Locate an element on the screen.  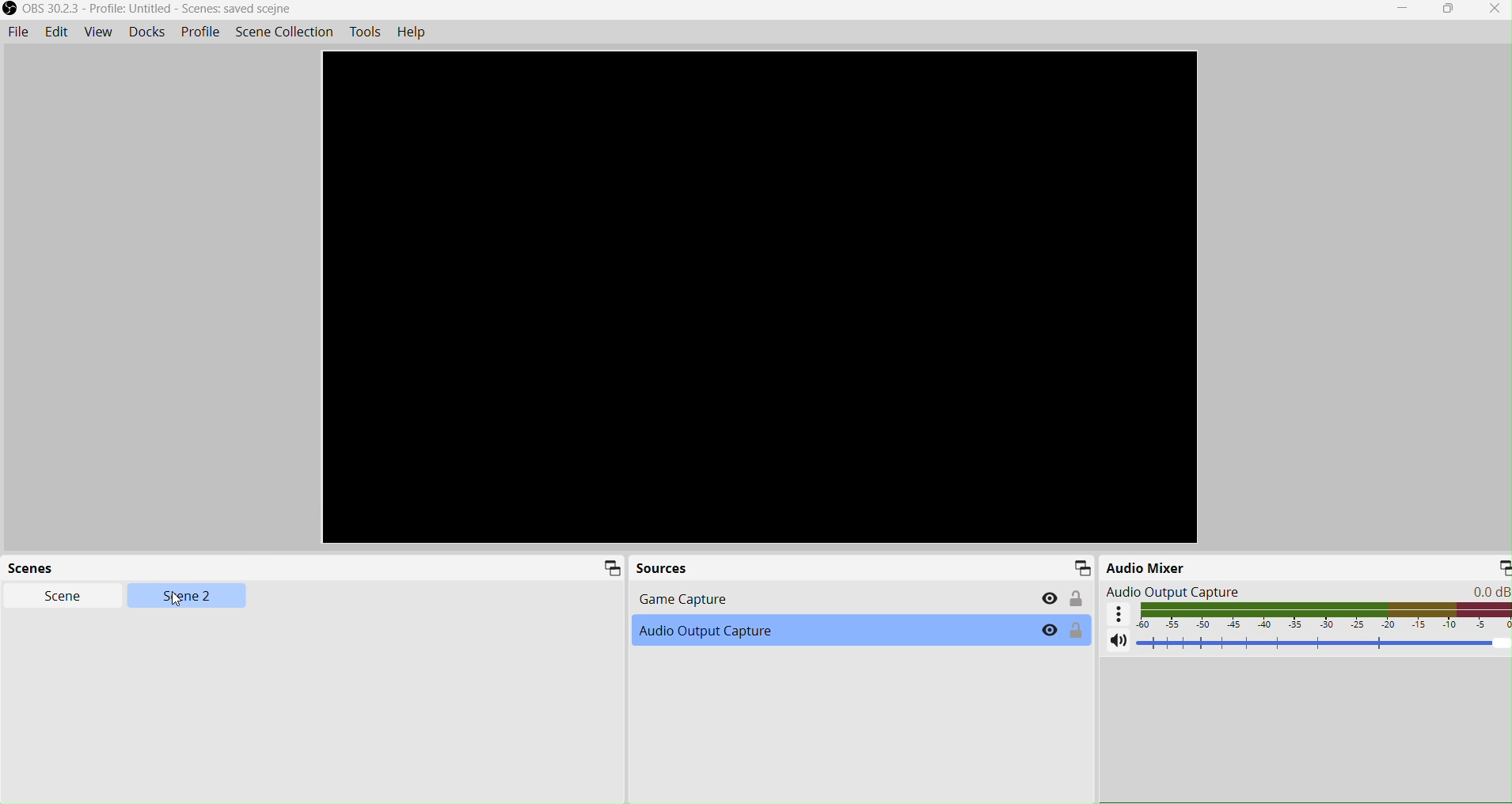
Volume mute/unmute is located at coordinates (1119, 641).